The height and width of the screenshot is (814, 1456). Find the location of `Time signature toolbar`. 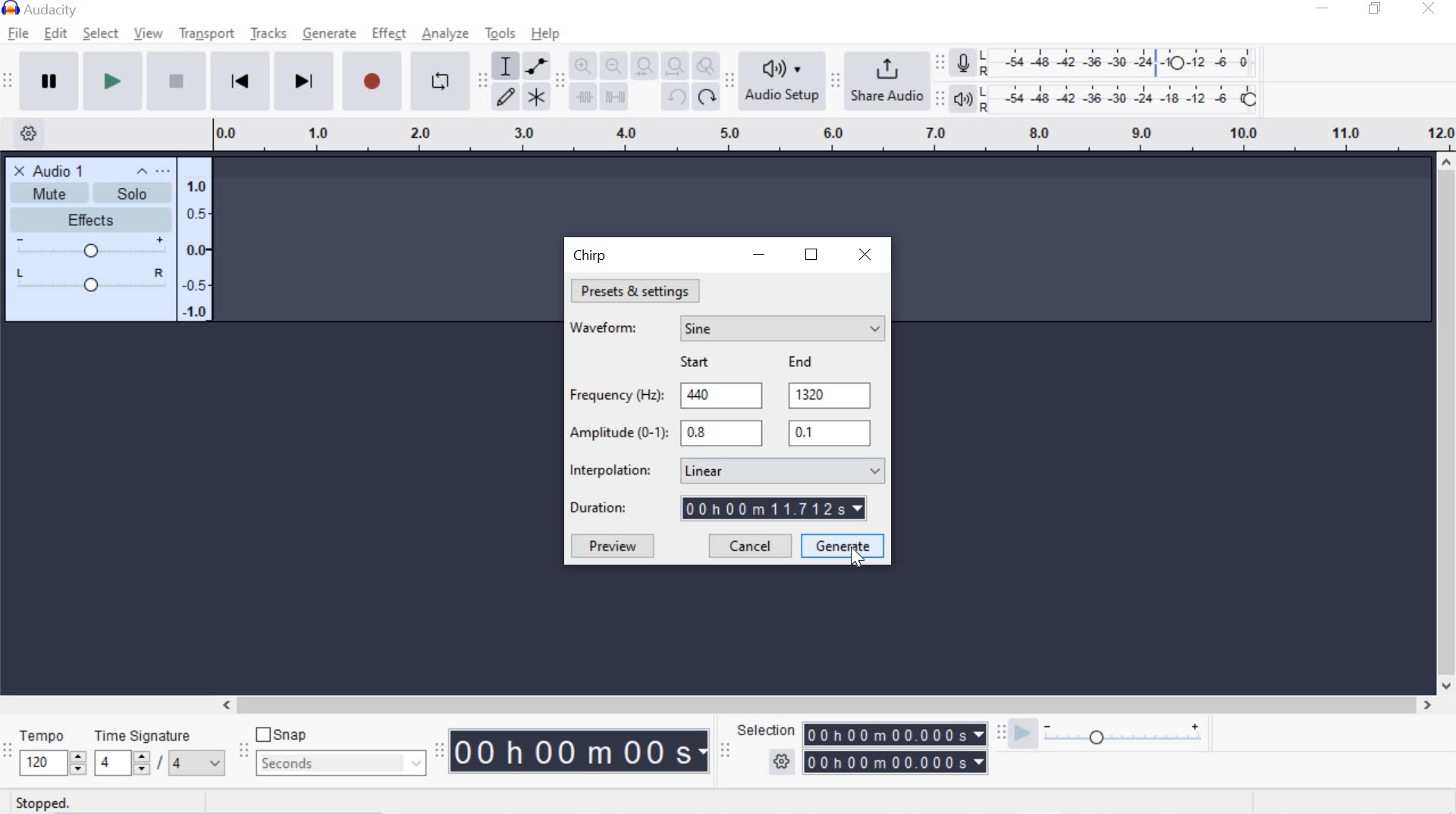

Time signature toolbar is located at coordinates (8, 753).